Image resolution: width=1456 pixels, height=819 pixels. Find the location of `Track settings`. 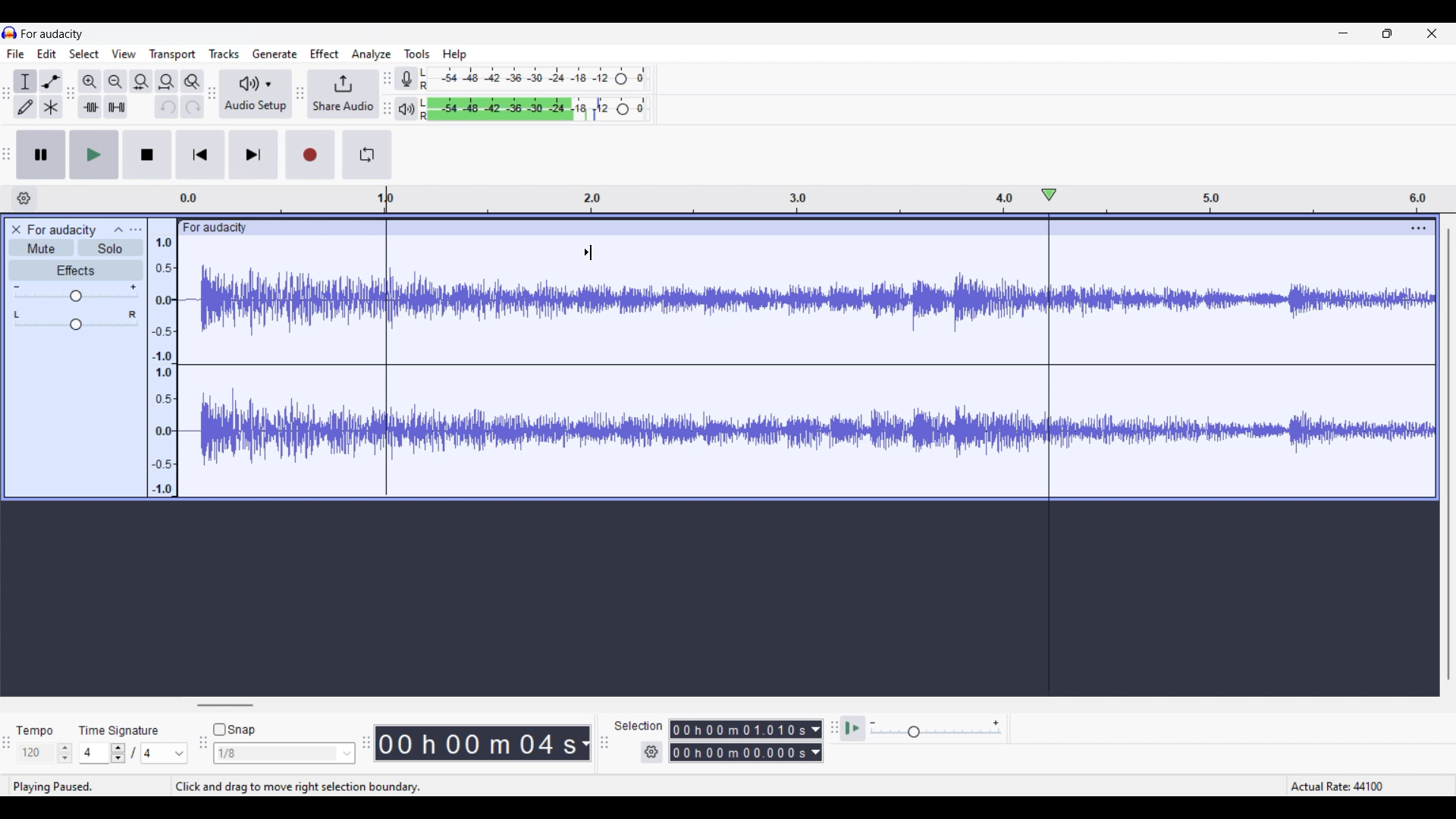

Track settings is located at coordinates (1419, 228).